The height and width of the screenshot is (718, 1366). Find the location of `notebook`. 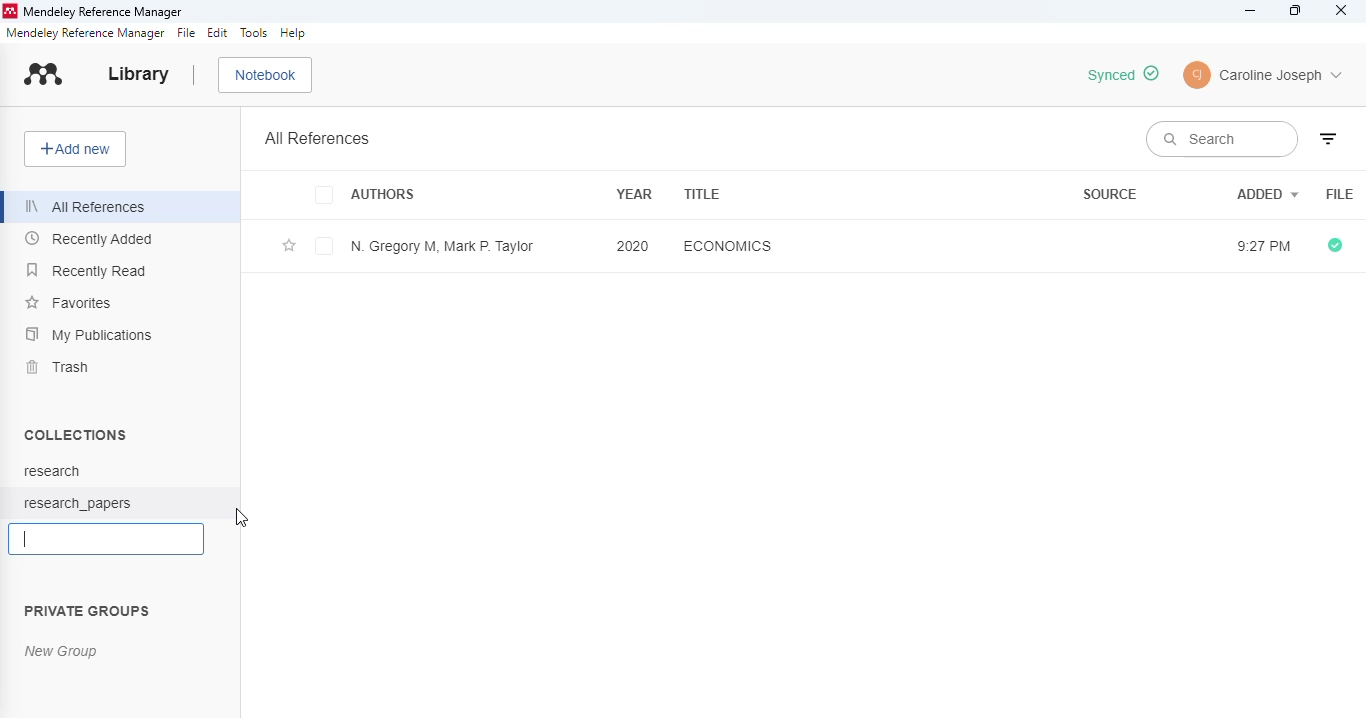

notebook is located at coordinates (266, 75).